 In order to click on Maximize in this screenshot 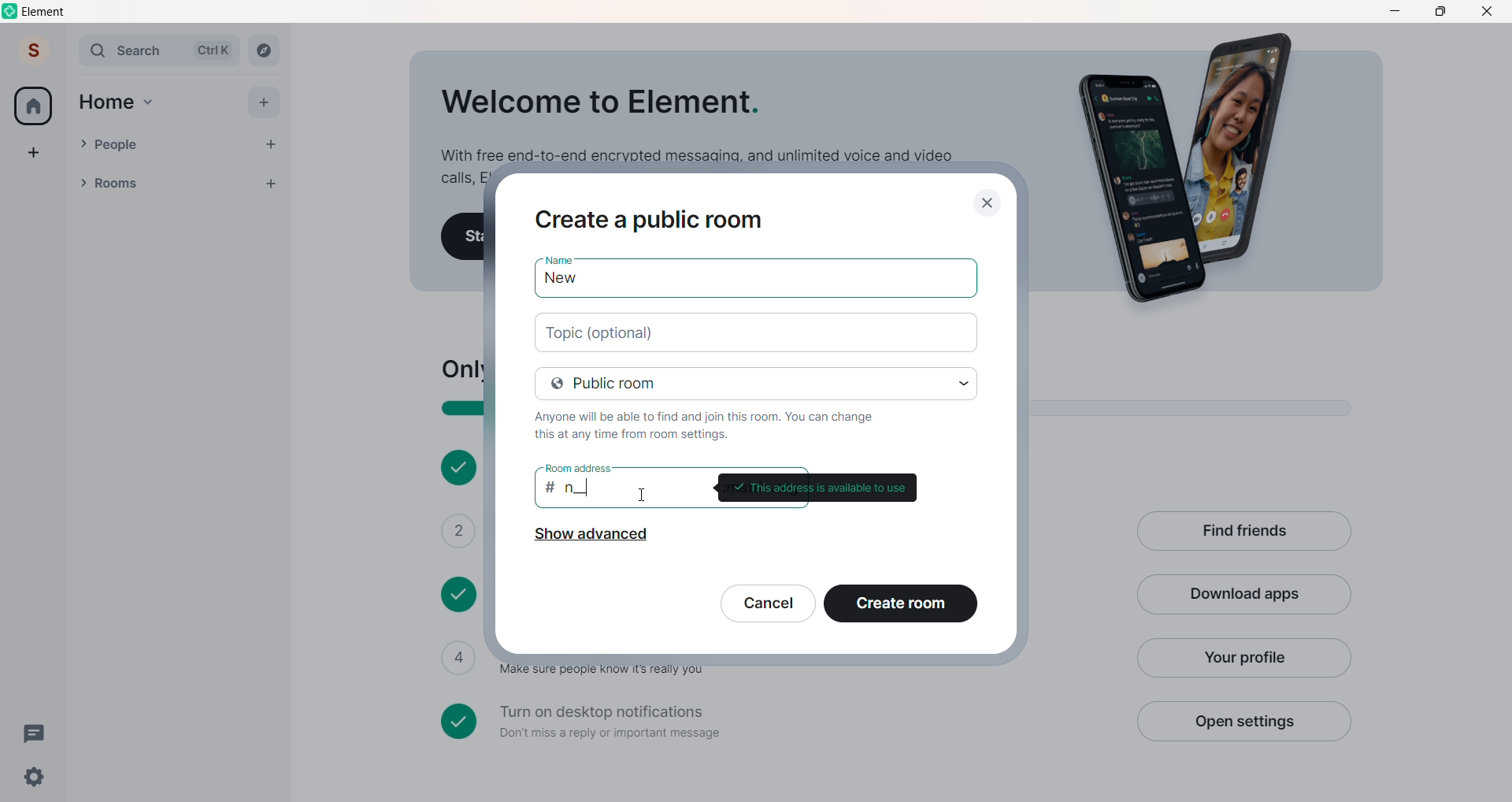, I will do `click(1440, 10)`.